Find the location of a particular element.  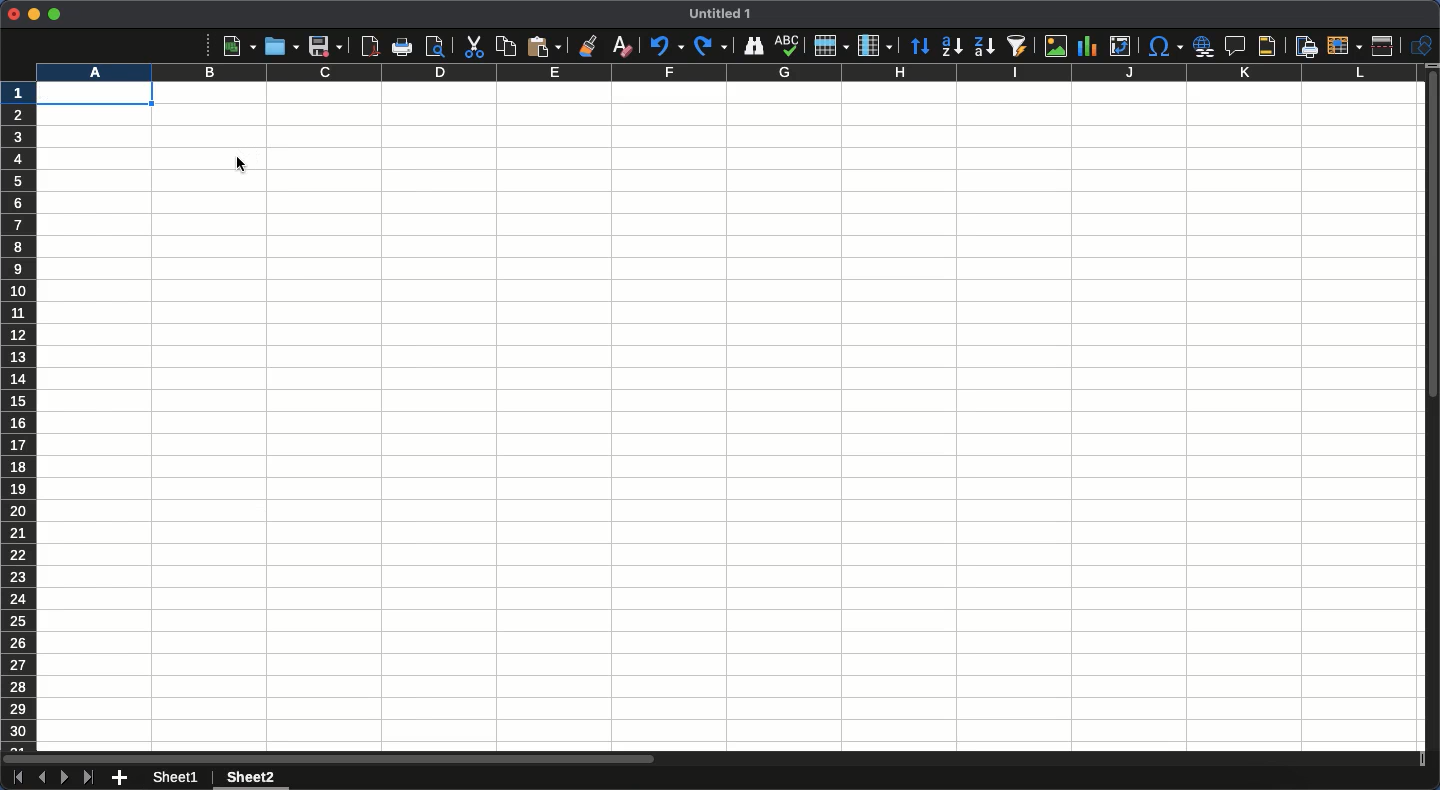

New is located at coordinates (239, 45).